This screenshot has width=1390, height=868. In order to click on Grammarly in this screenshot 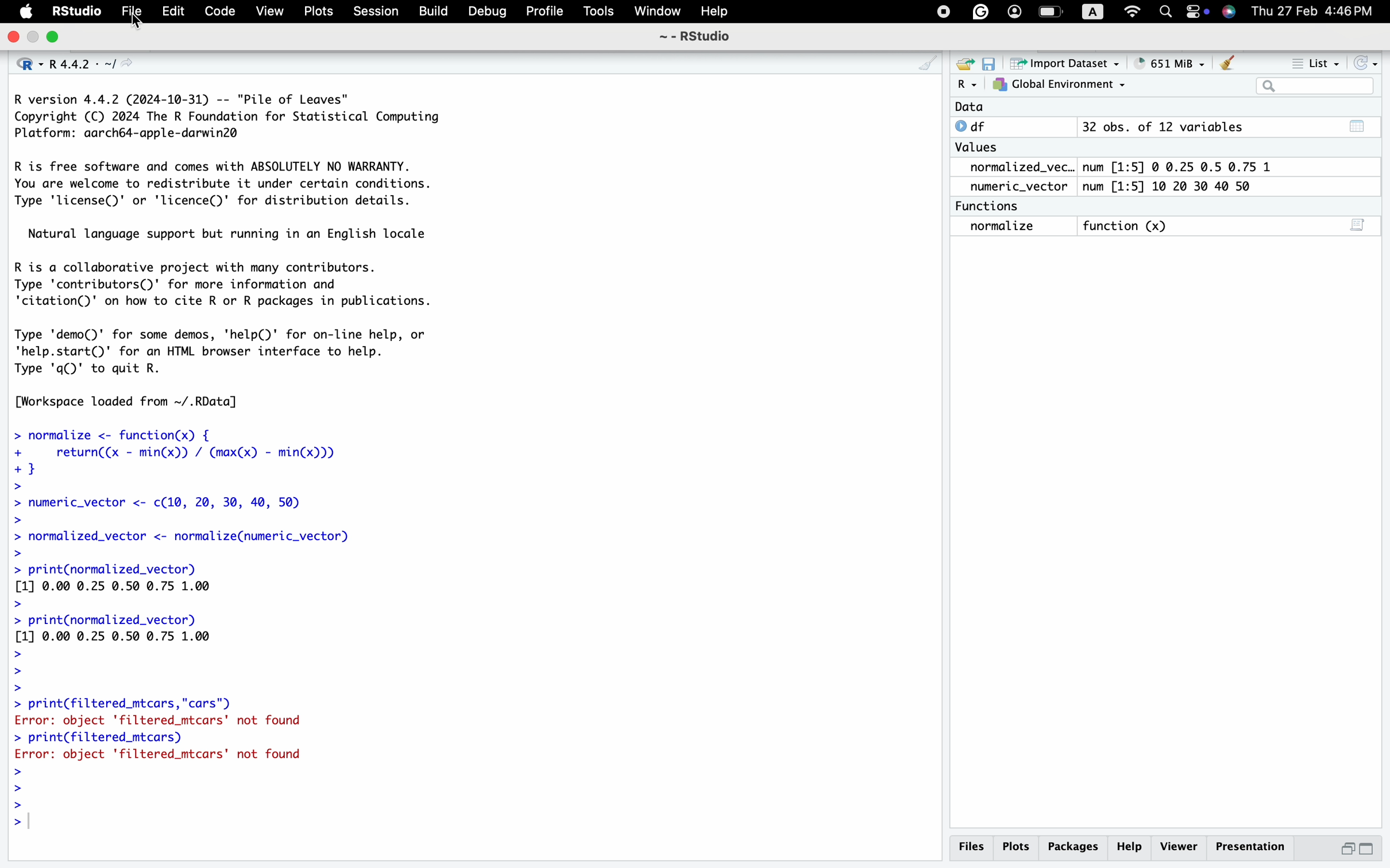, I will do `click(985, 10)`.